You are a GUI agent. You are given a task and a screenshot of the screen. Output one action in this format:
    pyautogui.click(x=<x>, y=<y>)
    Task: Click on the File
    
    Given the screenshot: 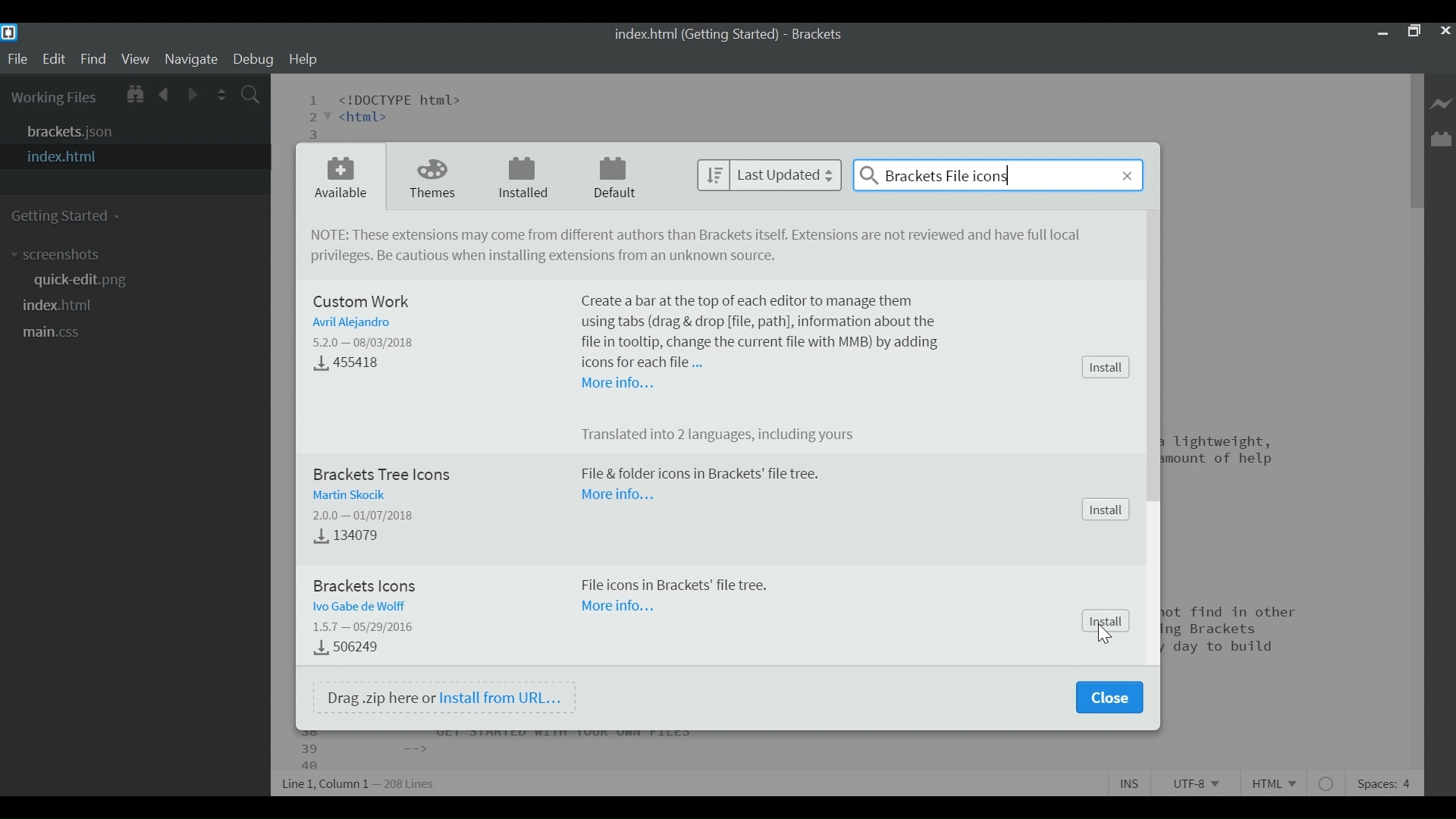 What is the action you would take?
    pyautogui.click(x=17, y=59)
    